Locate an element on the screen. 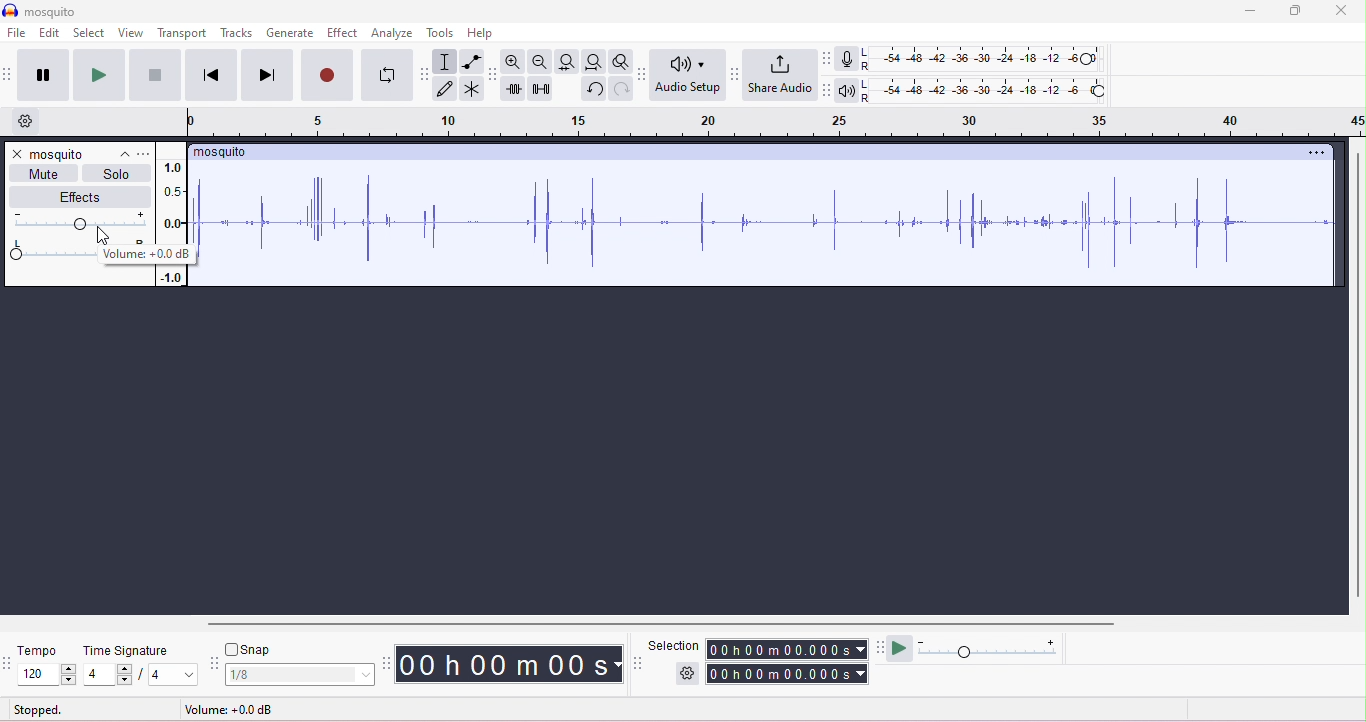 This screenshot has width=1366, height=722. analyze is located at coordinates (392, 32).